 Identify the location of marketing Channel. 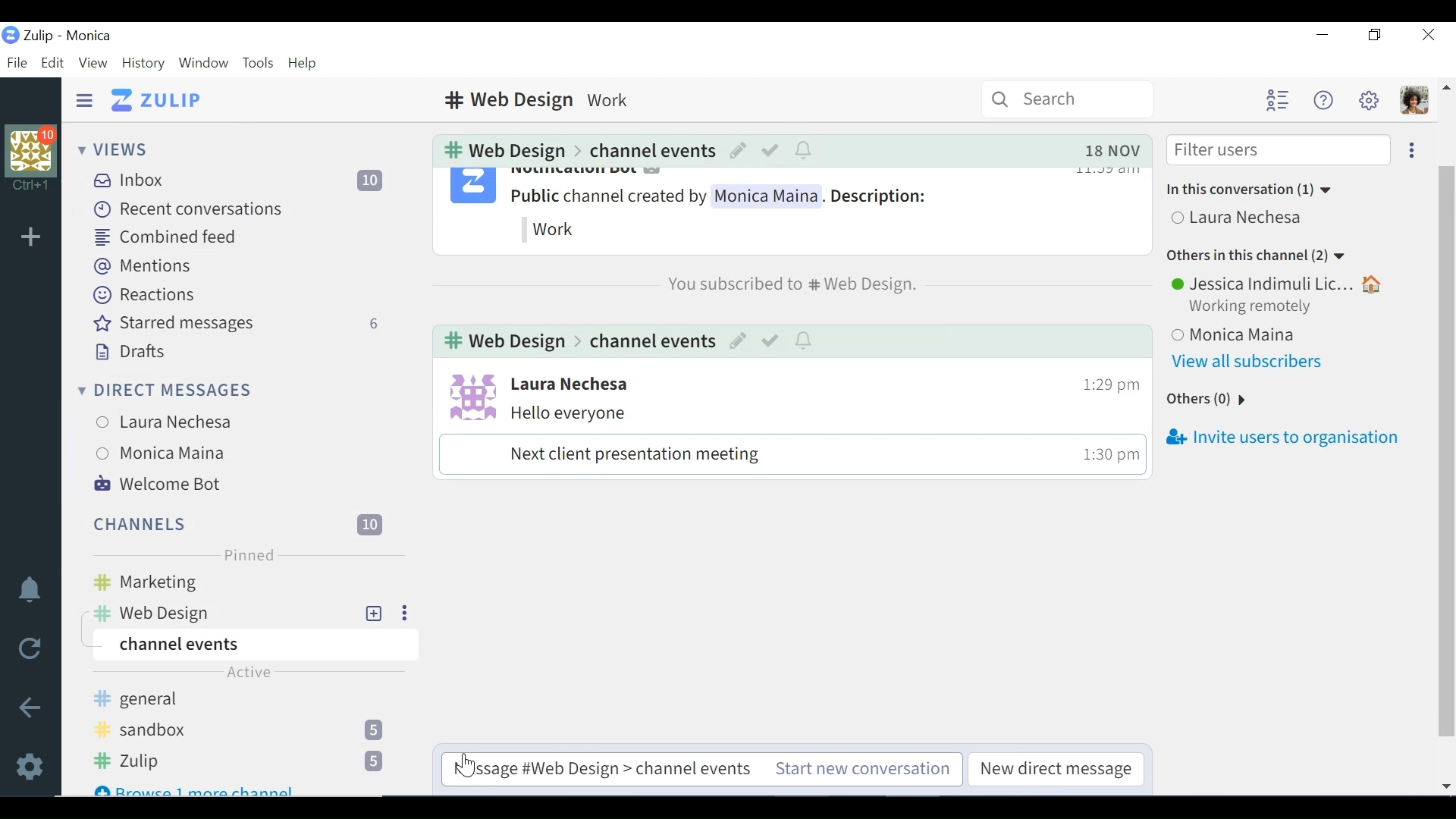
(252, 583).